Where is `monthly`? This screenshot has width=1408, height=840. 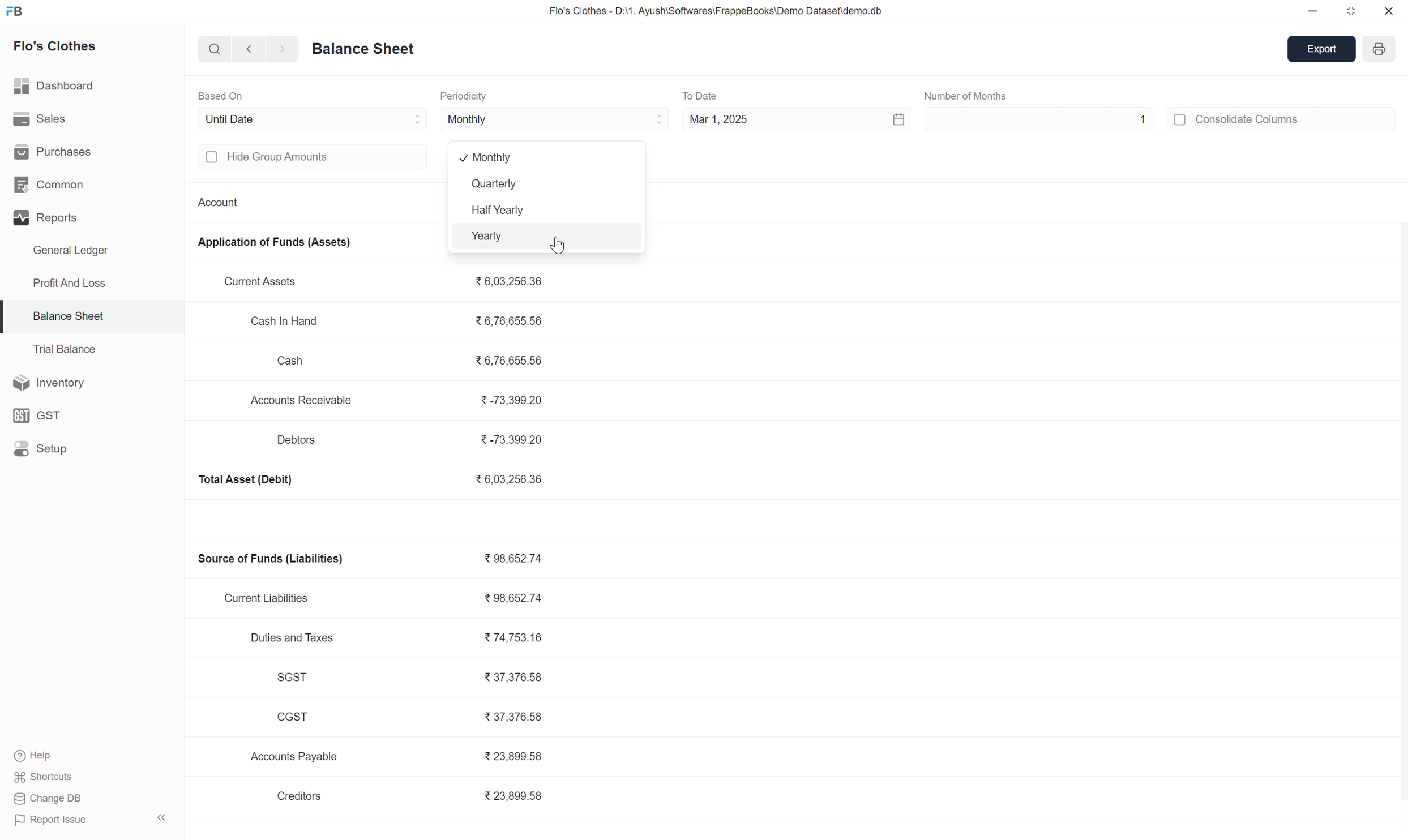 monthly is located at coordinates (490, 157).